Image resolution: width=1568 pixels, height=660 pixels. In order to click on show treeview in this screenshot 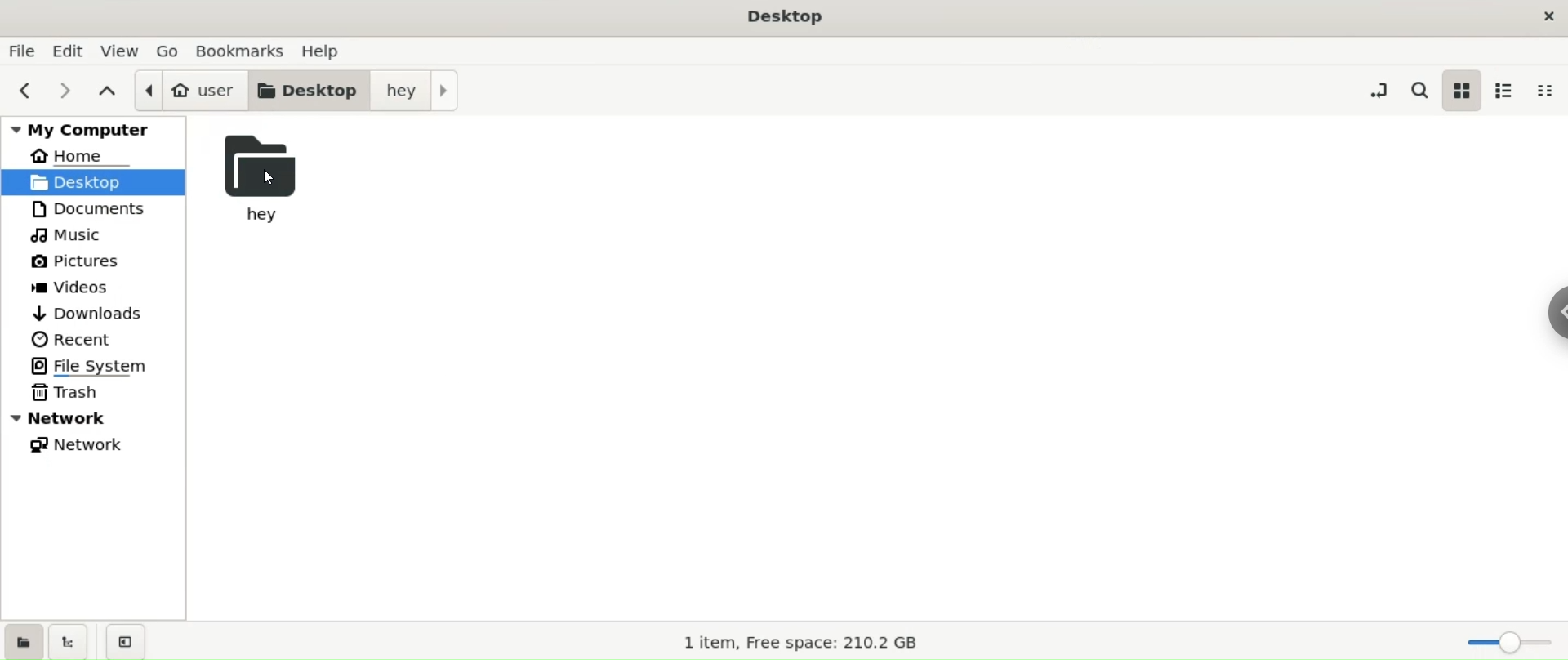, I will do `click(71, 640)`.